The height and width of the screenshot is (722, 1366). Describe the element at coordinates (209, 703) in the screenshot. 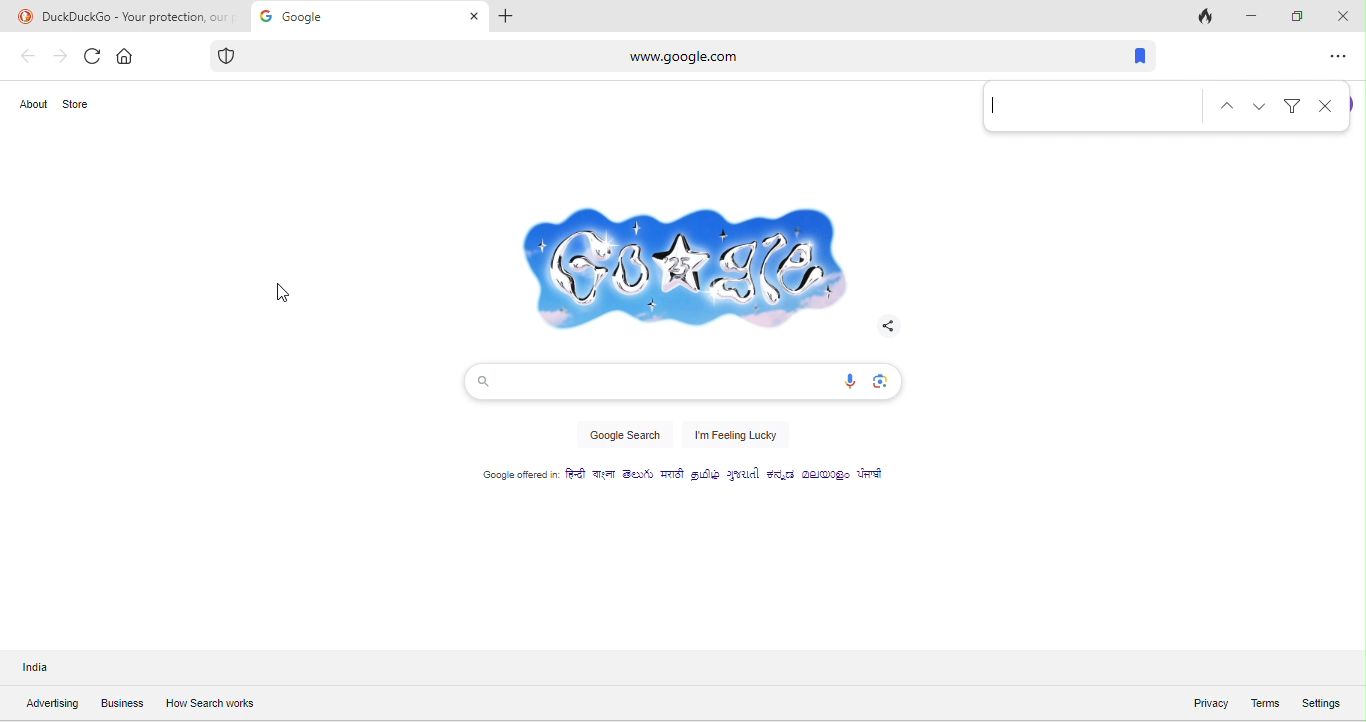

I see `how search works` at that location.